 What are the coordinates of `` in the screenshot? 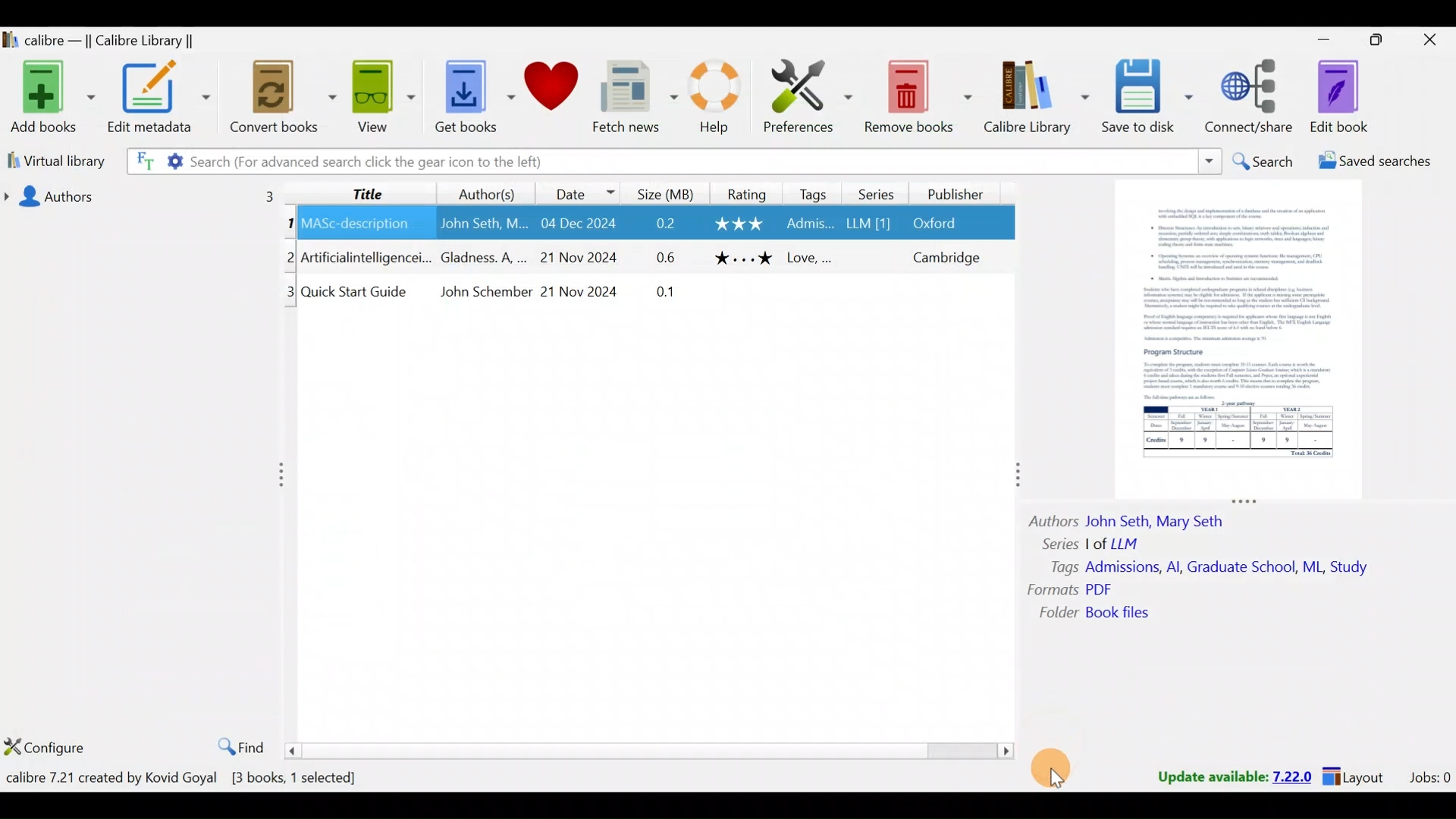 It's located at (289, 258).